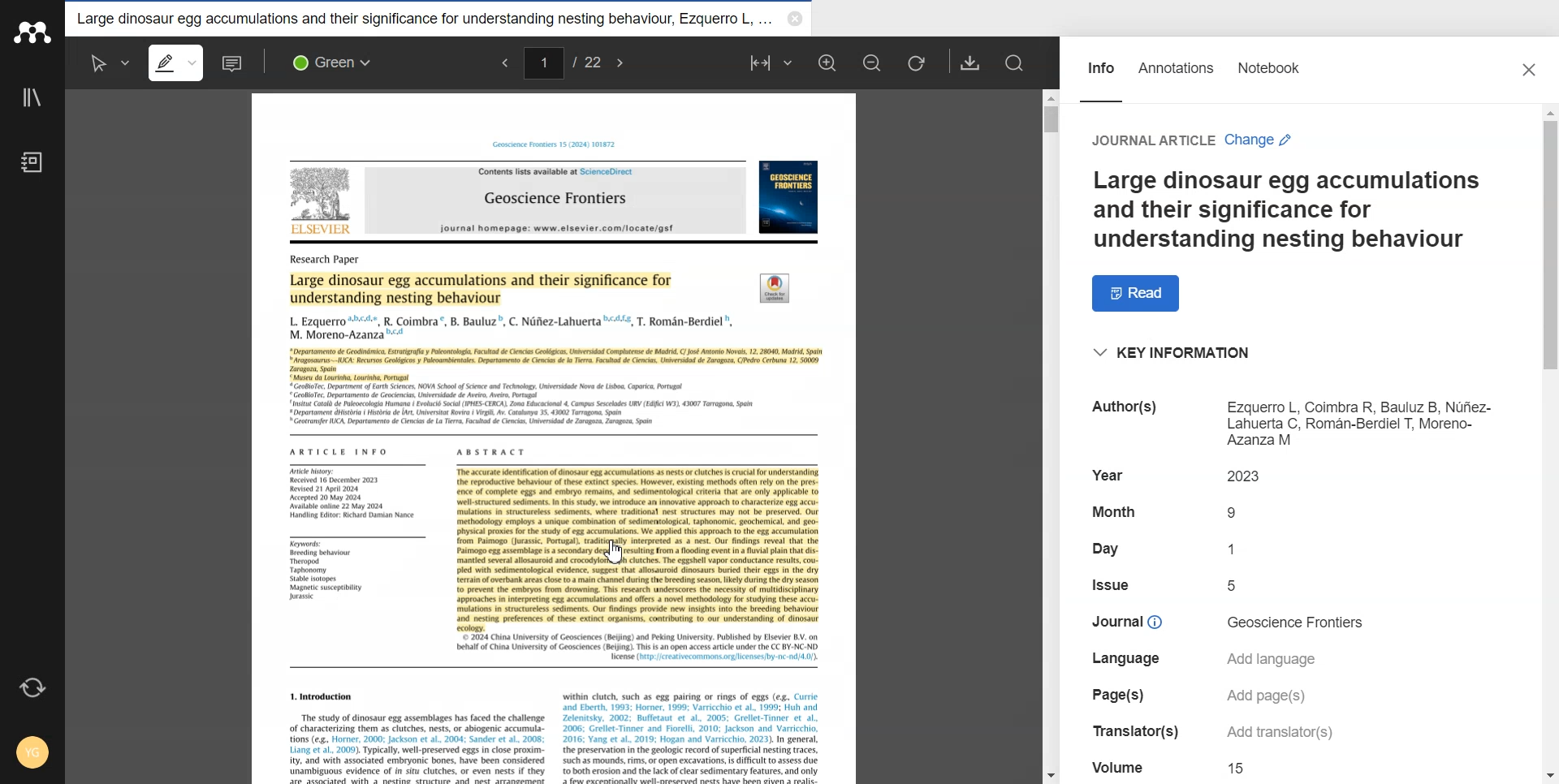 The height and width of the screenshot is (784, 1559). What do you see at coordinates (1259, 140) in the screenshot?
I see `change` at bounding box center [1259, 140].